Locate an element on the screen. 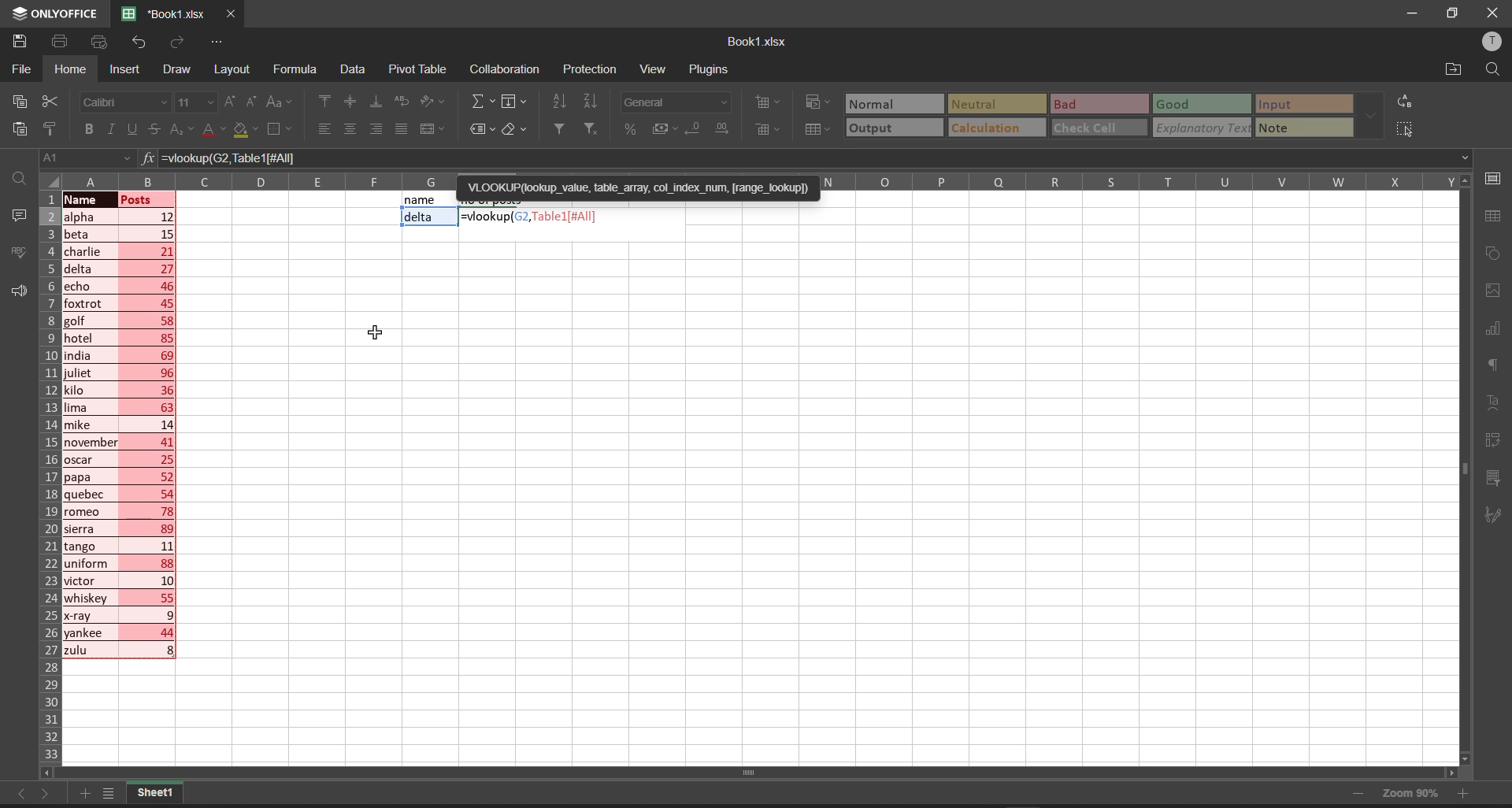  decrement font size is located at coordinates (253, 102).